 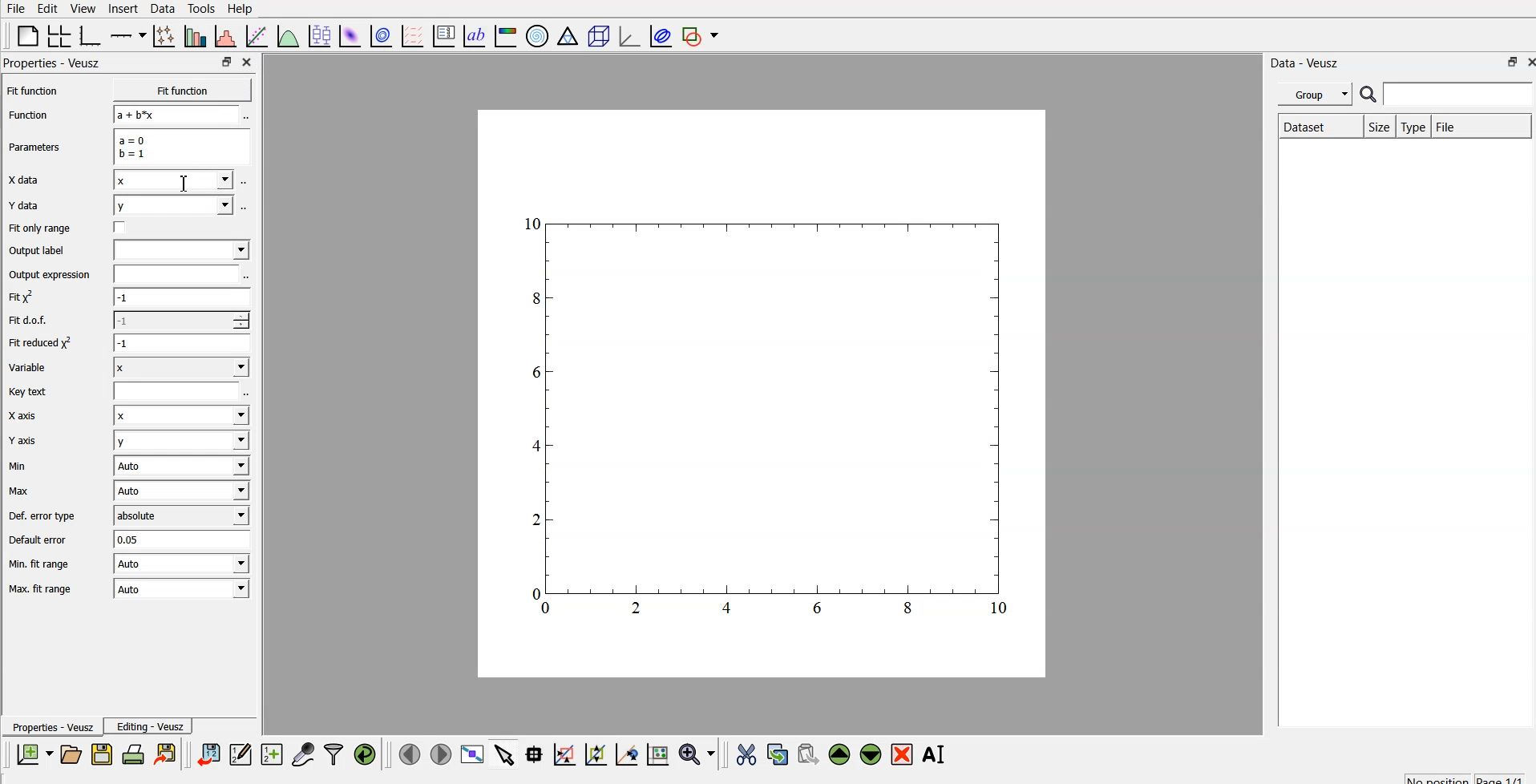 I want to click on Y data, so click(x=47, y=208).